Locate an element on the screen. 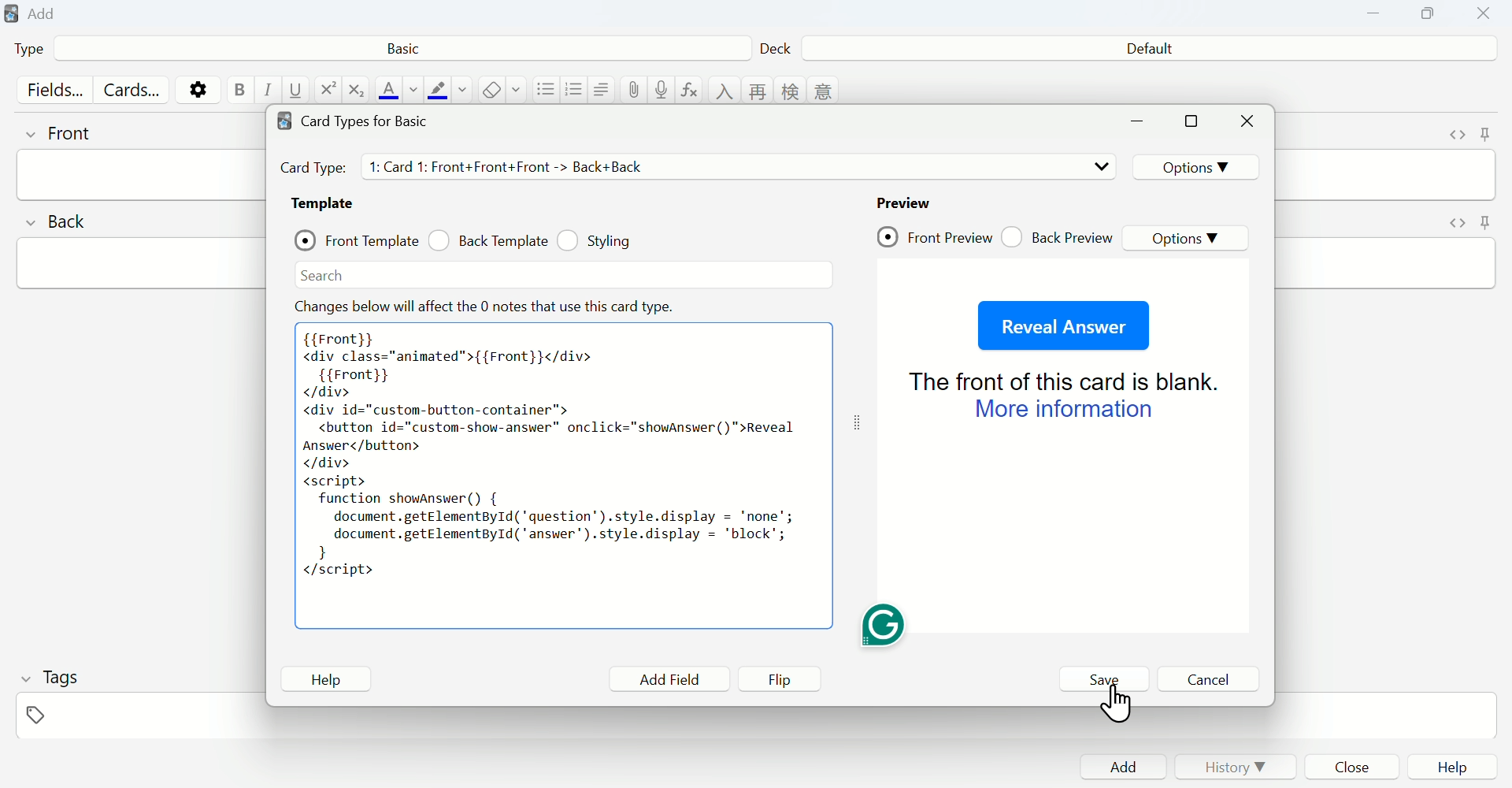 This screenshot has height=788, width=1512. alignment is located at coordinates (602, 90).